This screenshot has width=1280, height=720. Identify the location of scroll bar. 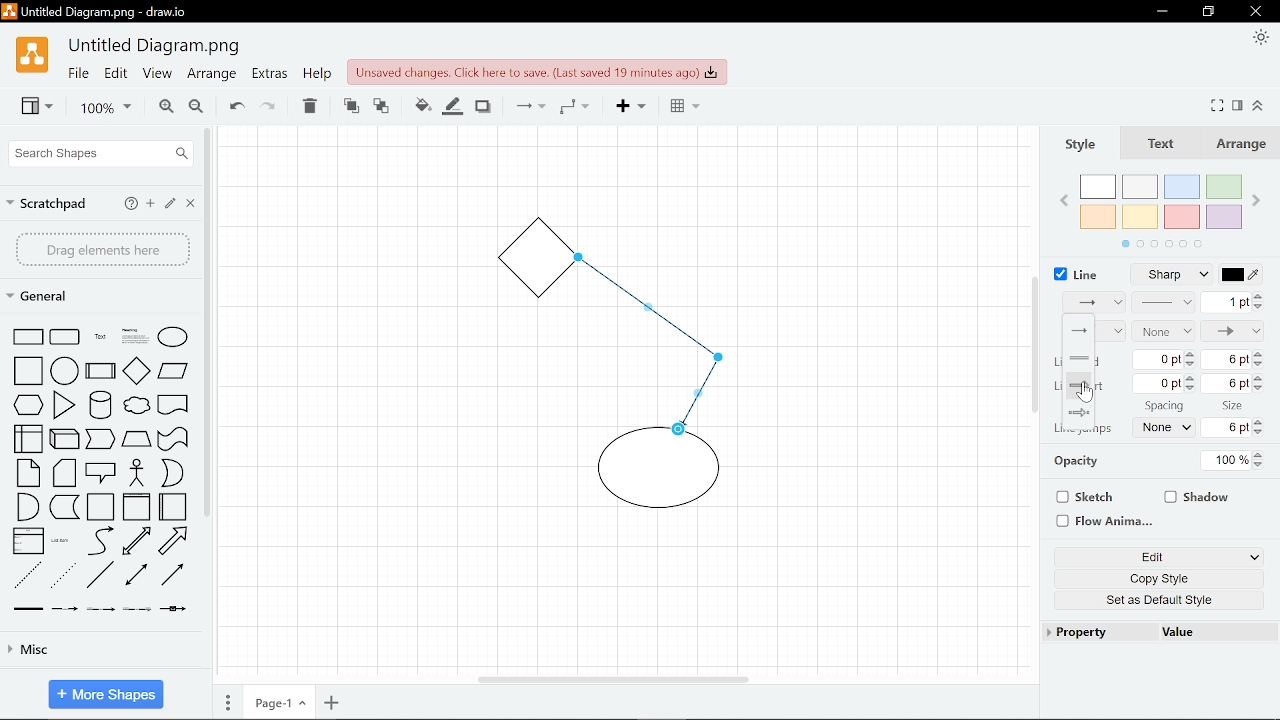
(205, 322).